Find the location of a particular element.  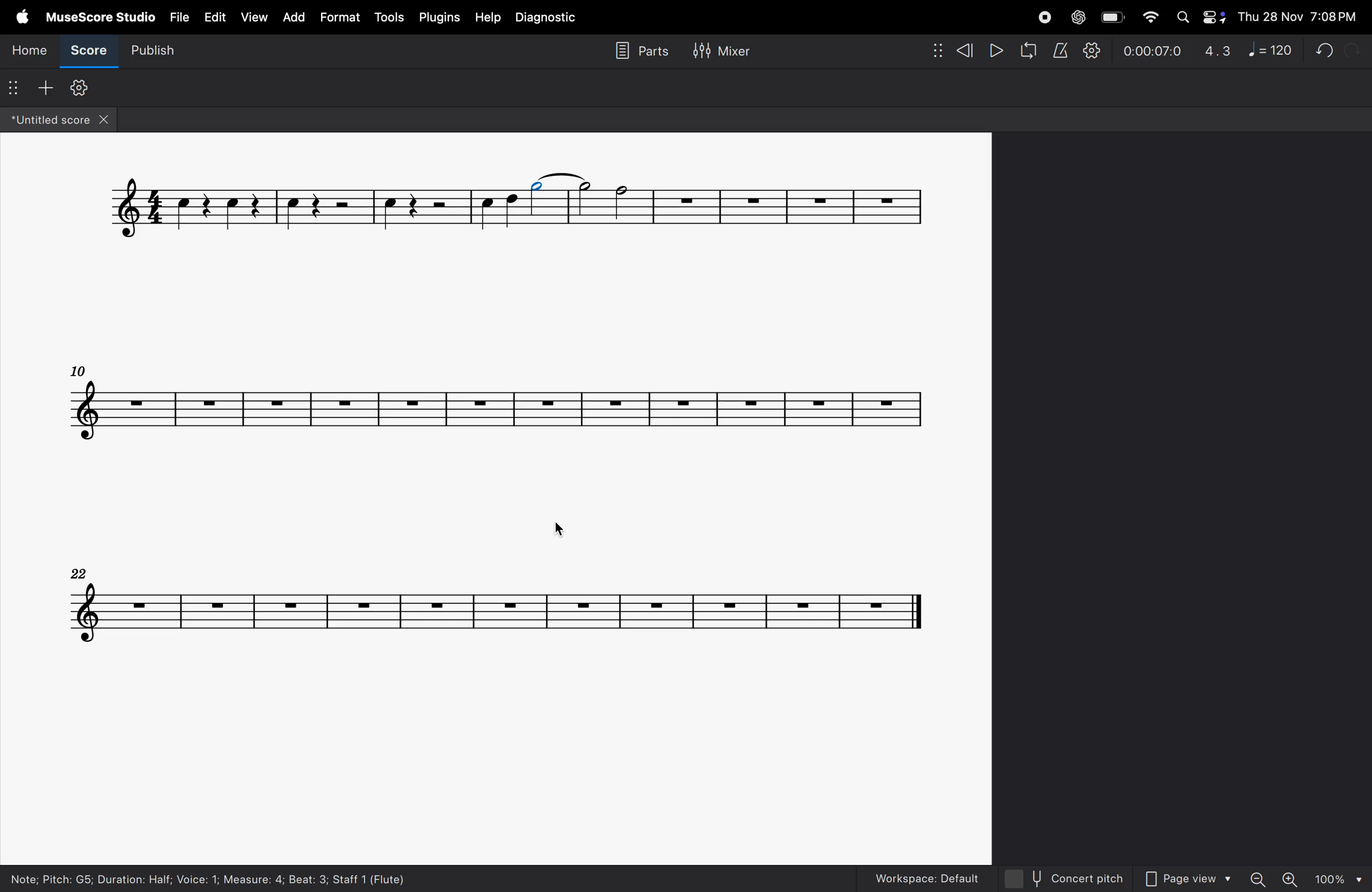

ad is located at coordinates (293, 16).